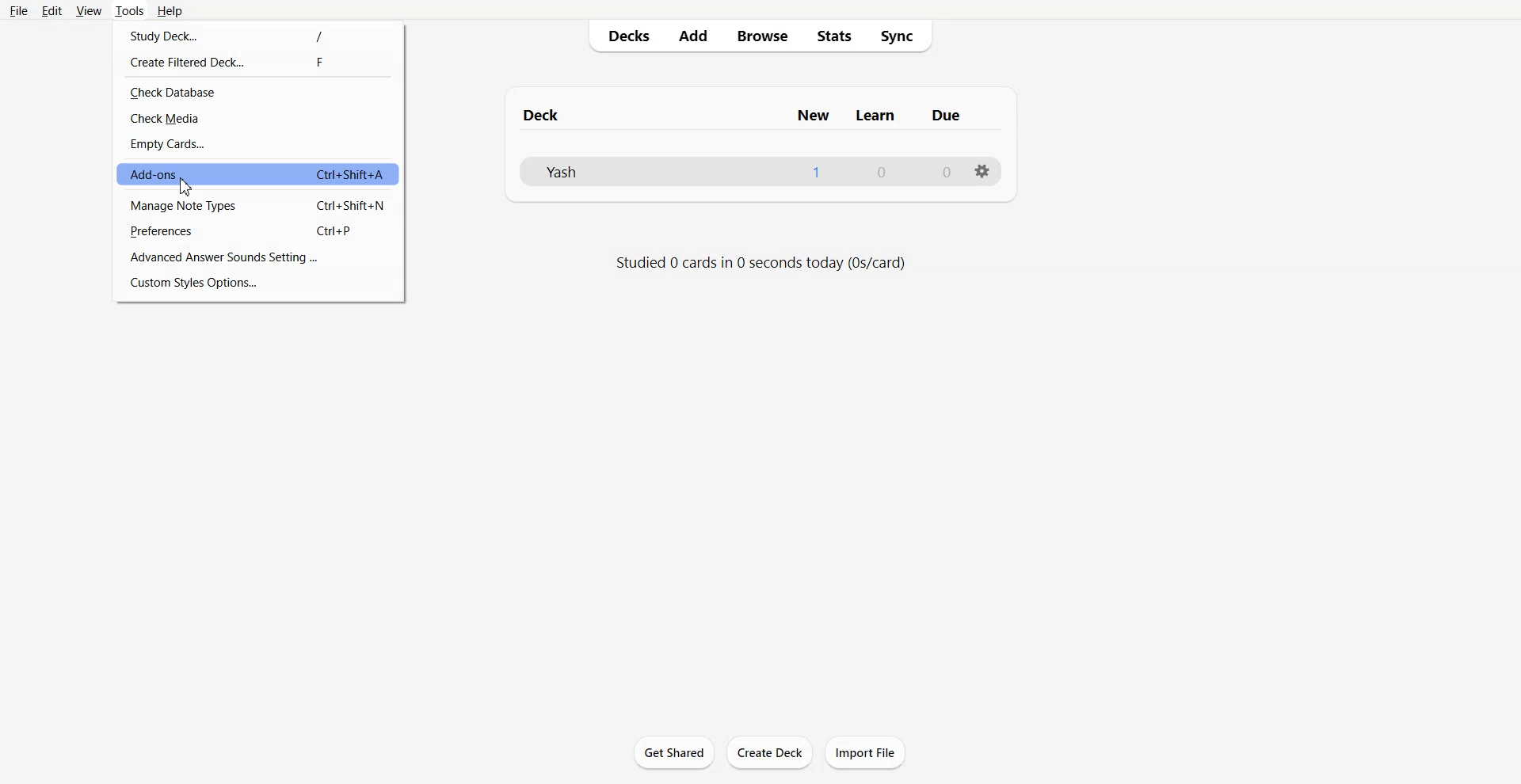 This screenshot has height=784, width=1521. What do you see at coordinates (876, 115) in the screenshot?
I see `learn` at bounding box center [876, 115].